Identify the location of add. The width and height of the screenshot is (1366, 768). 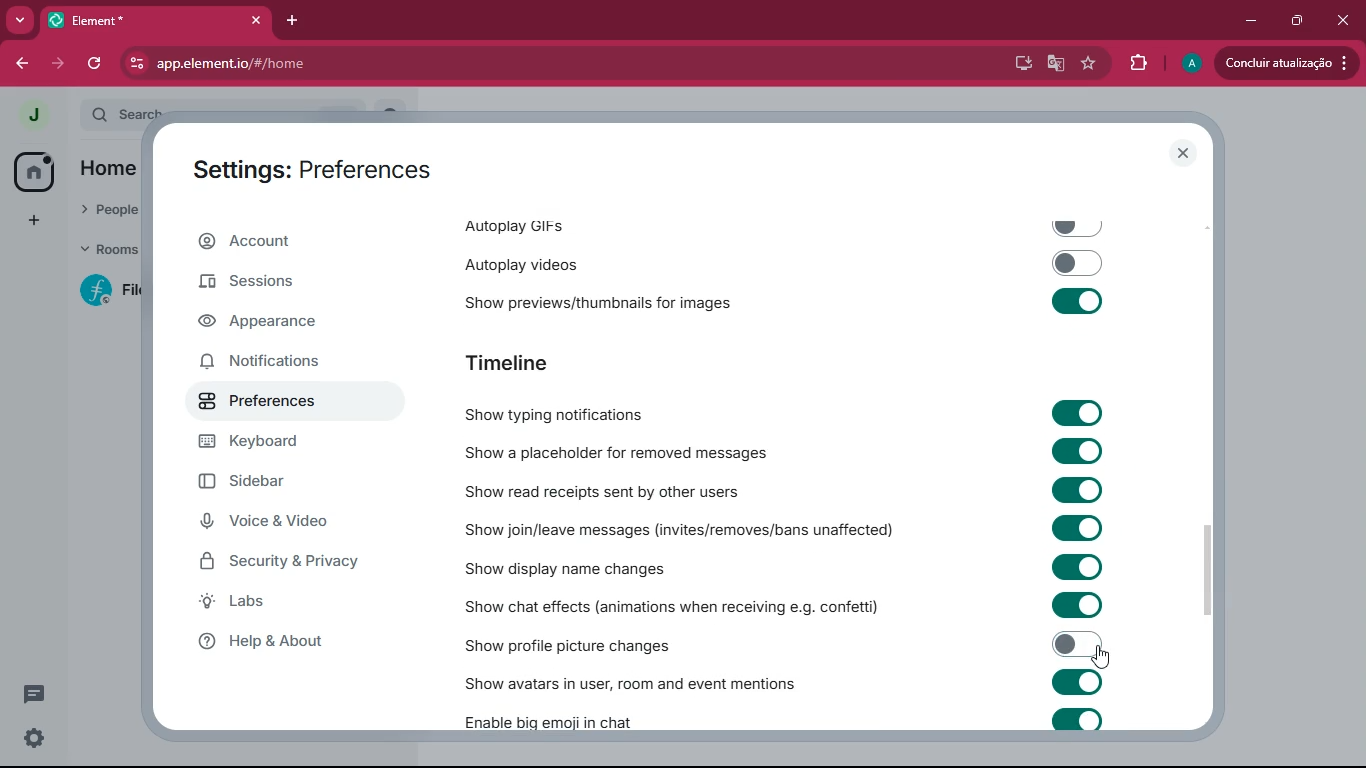
(30, 224).